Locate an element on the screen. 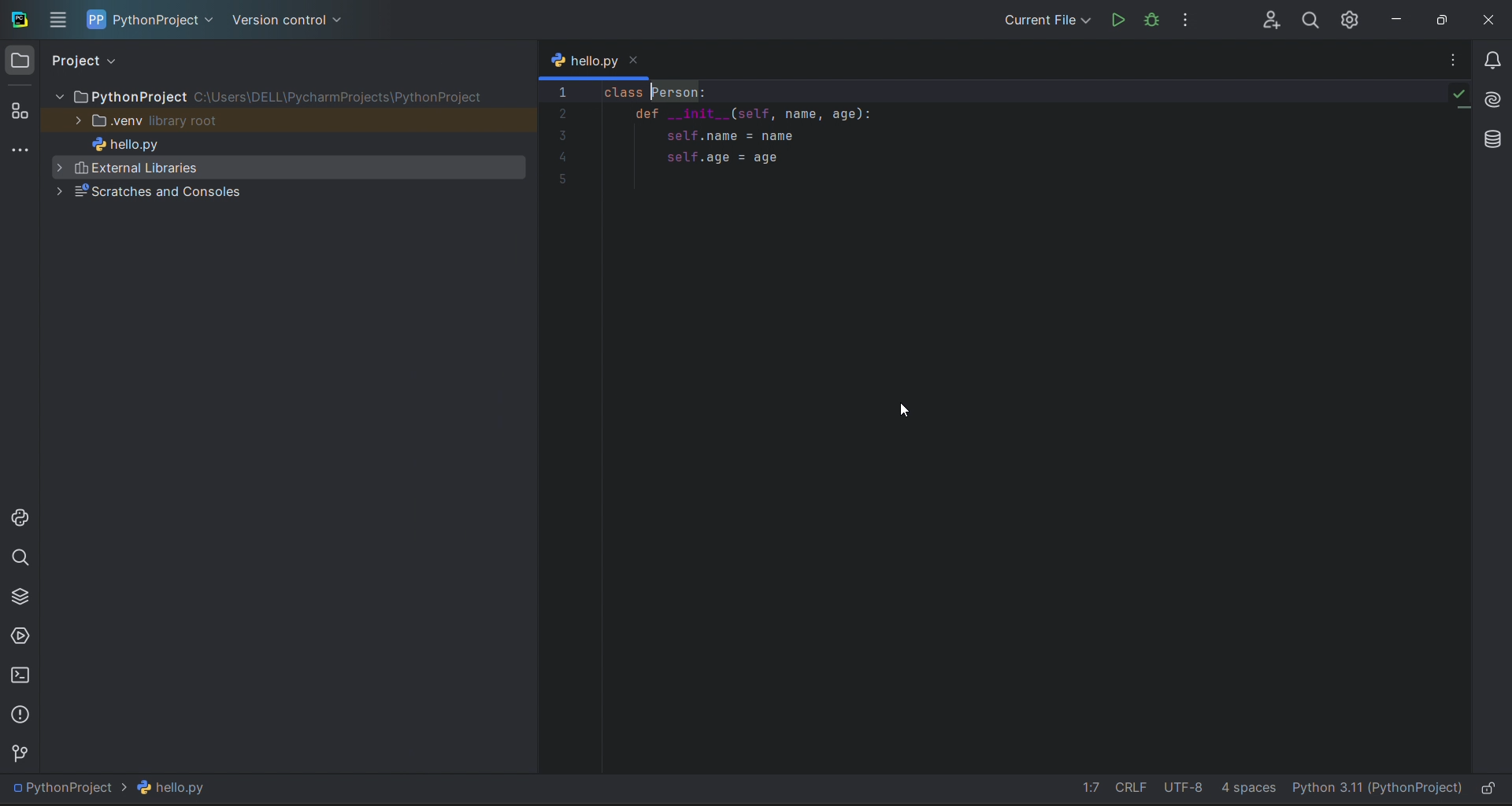  python packages is located at coordinates (19, 597).